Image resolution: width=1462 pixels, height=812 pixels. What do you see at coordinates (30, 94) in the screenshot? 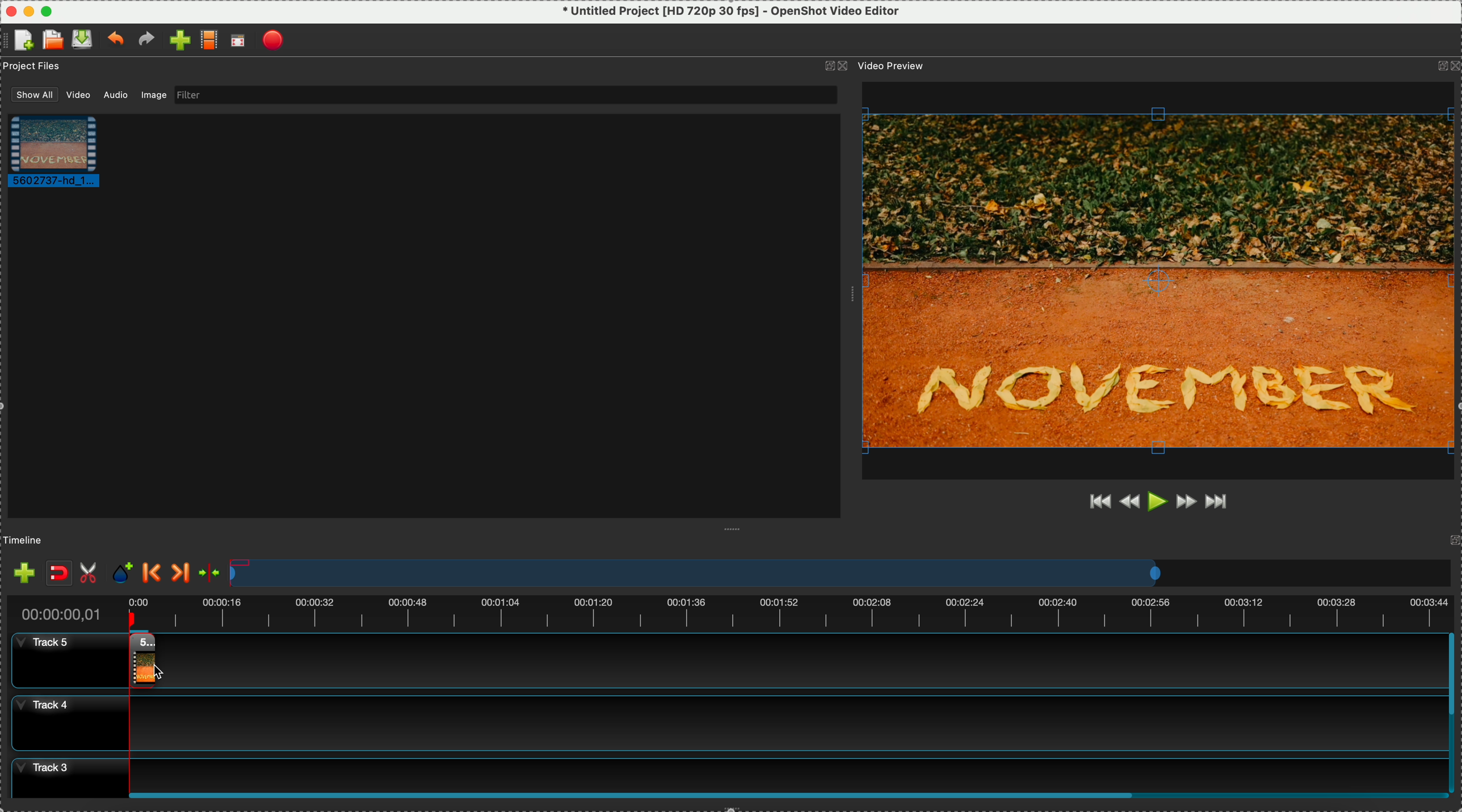
I see `show all` at bounding box center [30, 94].